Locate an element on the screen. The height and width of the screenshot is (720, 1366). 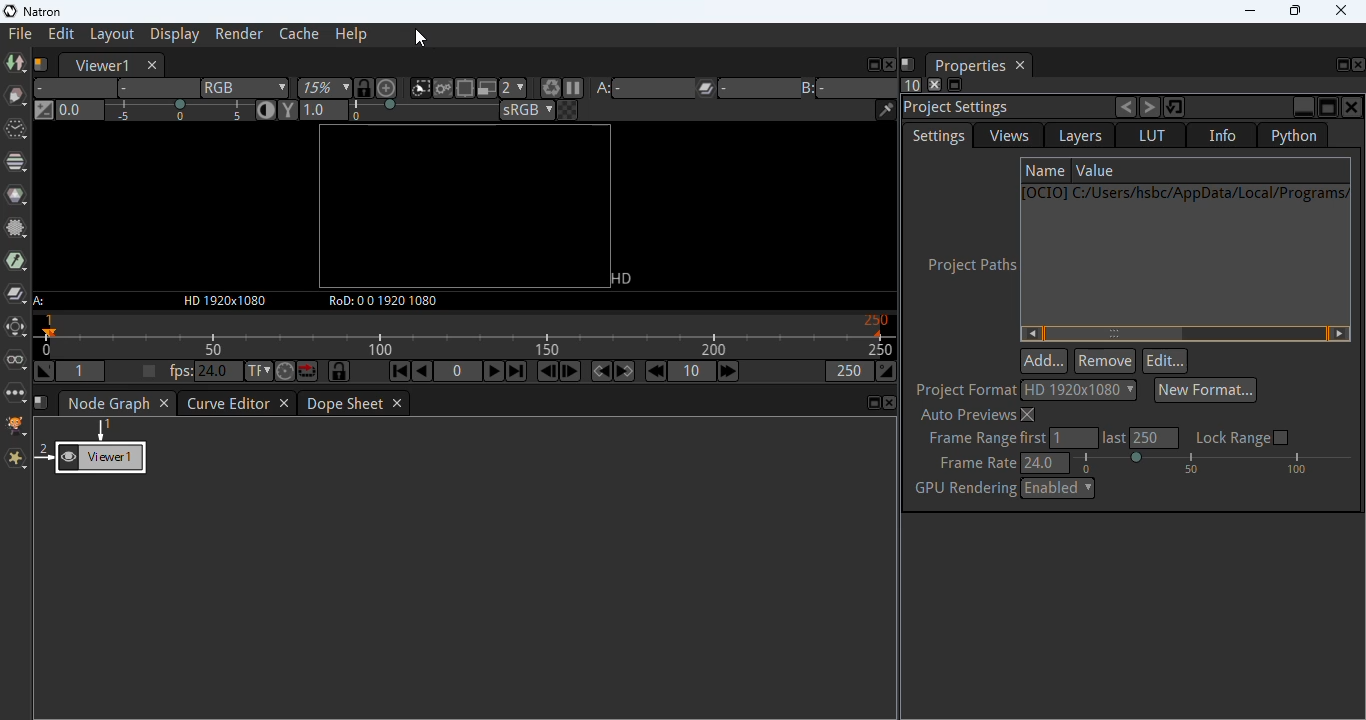
viewer input A is located at coordinates (642, 87).